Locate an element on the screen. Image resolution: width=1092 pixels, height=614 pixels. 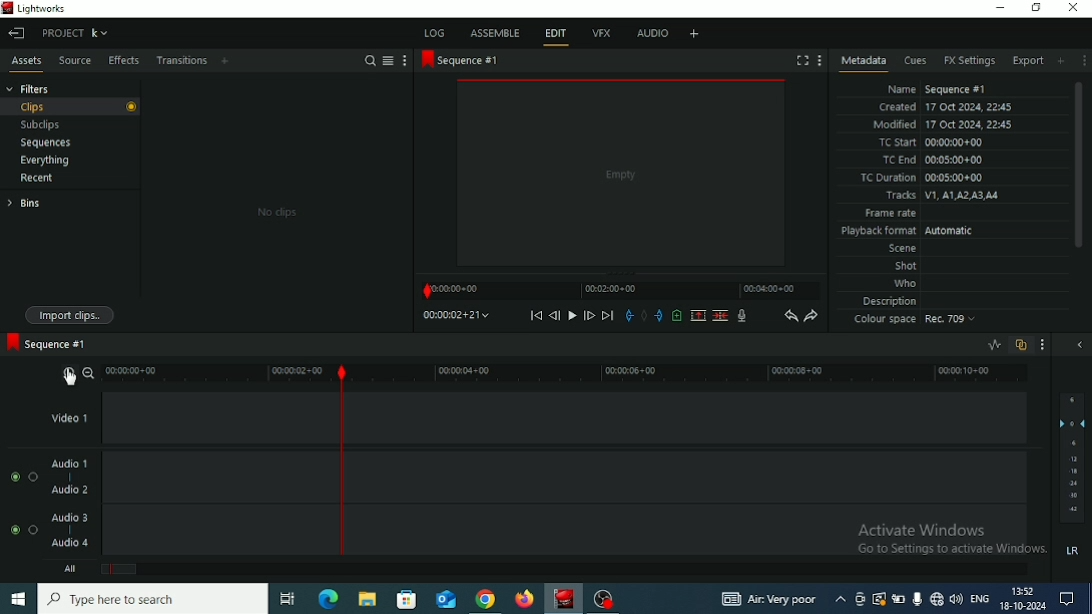
Mute/unmute this track is located at coordinates (14, 530).